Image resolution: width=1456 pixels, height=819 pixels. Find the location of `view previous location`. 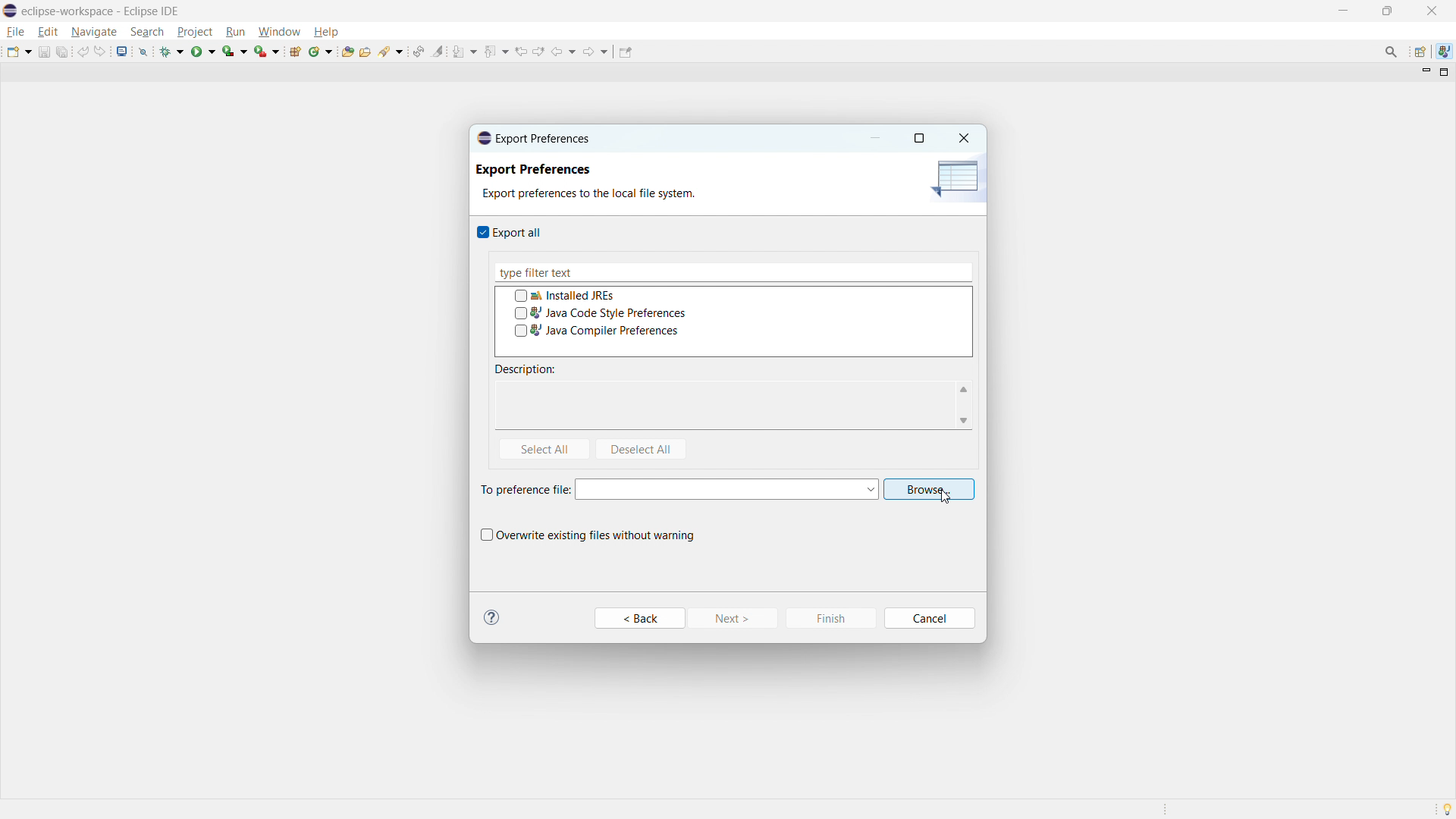

view previous location is located at coordinates (521, 52).